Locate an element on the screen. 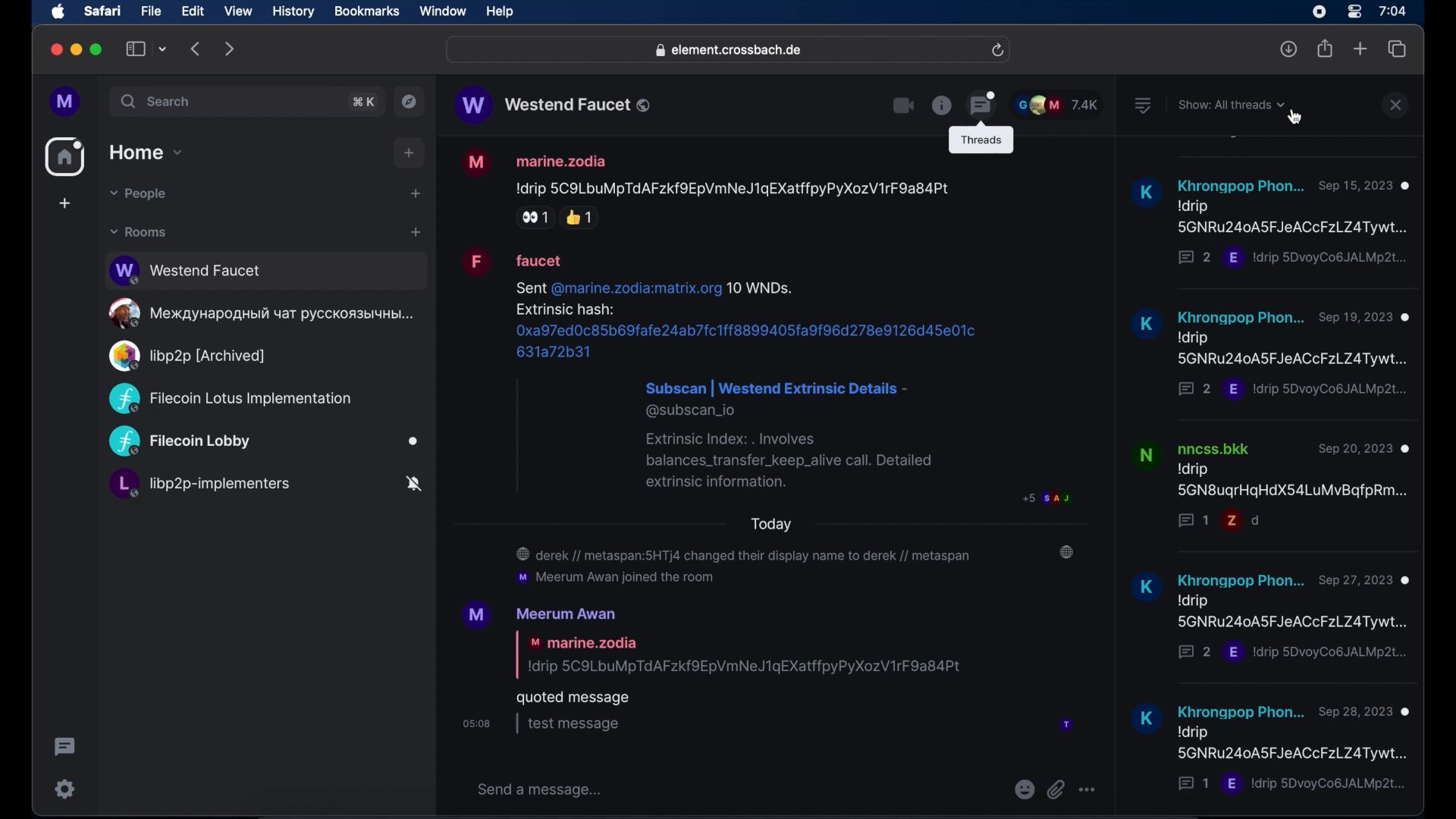 Image resolution: width=1456 pixels, height=819 pixels. K is located at coordinates (1147, 323).